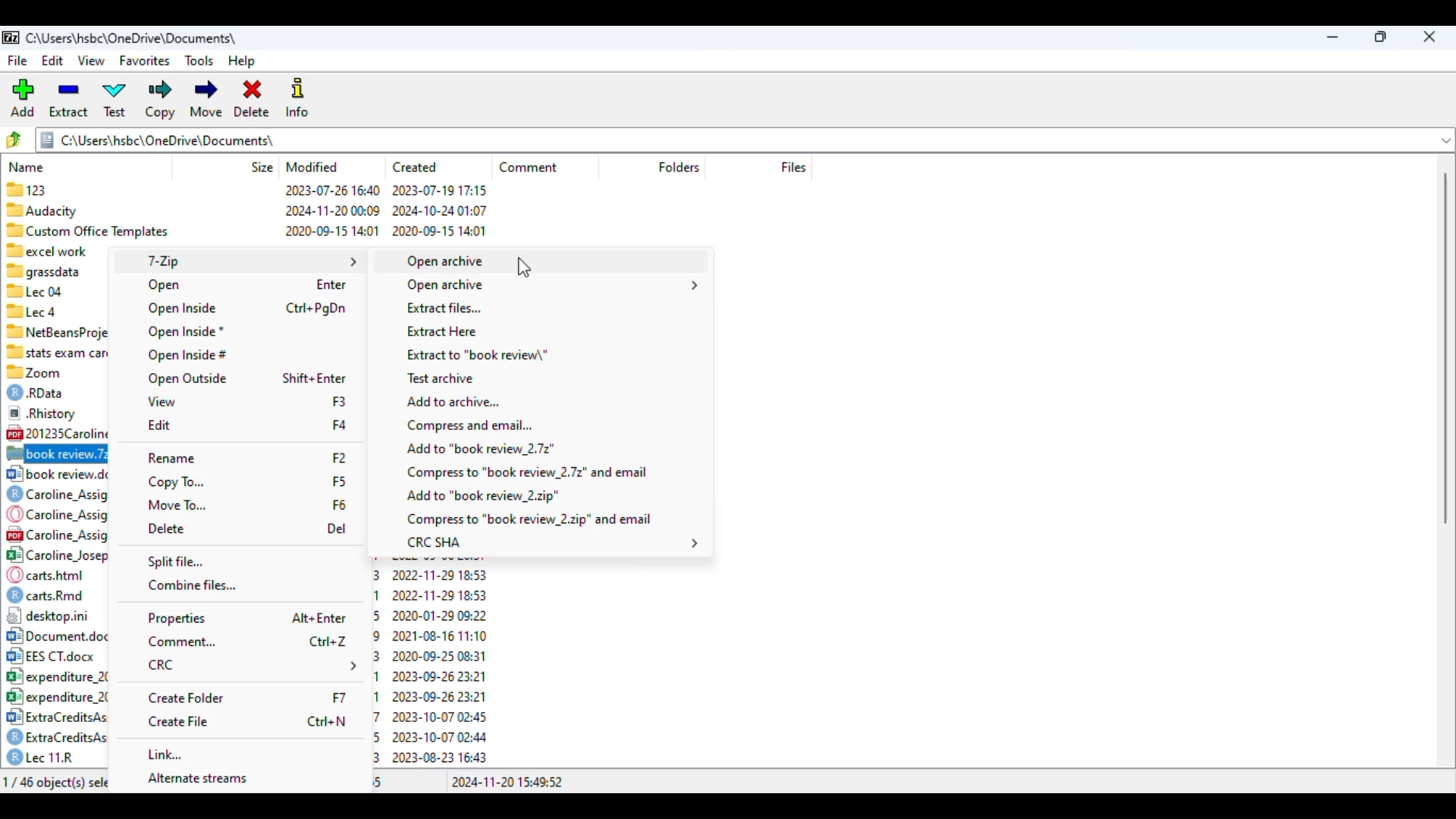 The width and height of the screenshot is (1456, 819). I want to click on favorites, so click(146, 61).